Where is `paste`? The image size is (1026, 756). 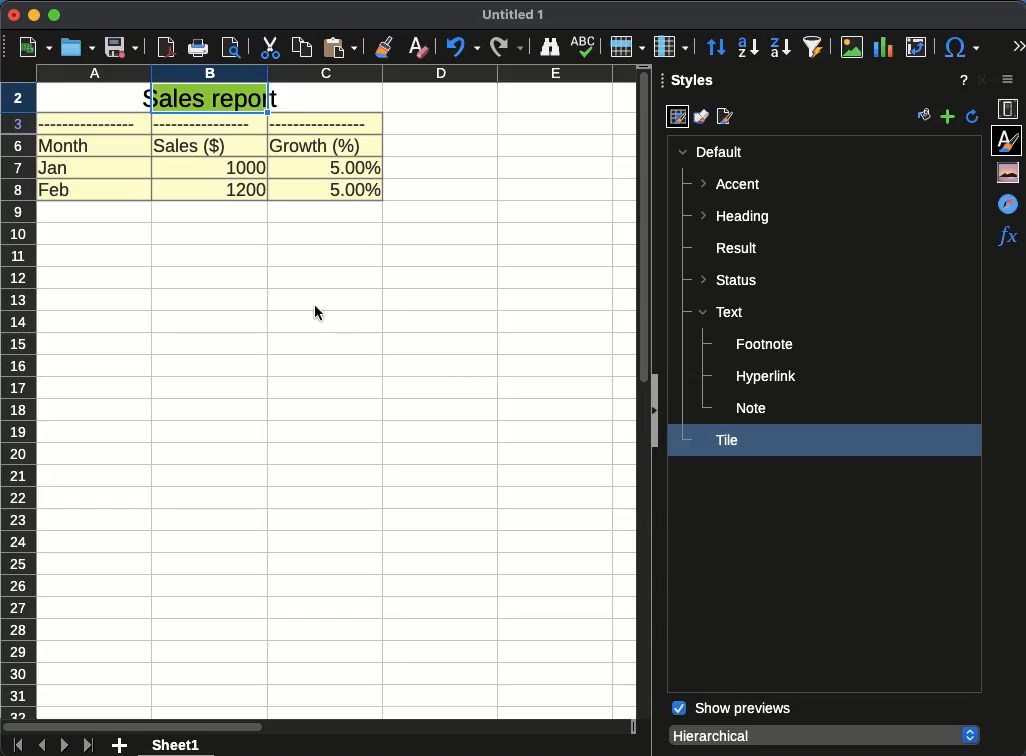
paste is located at coordinates (339, 47).